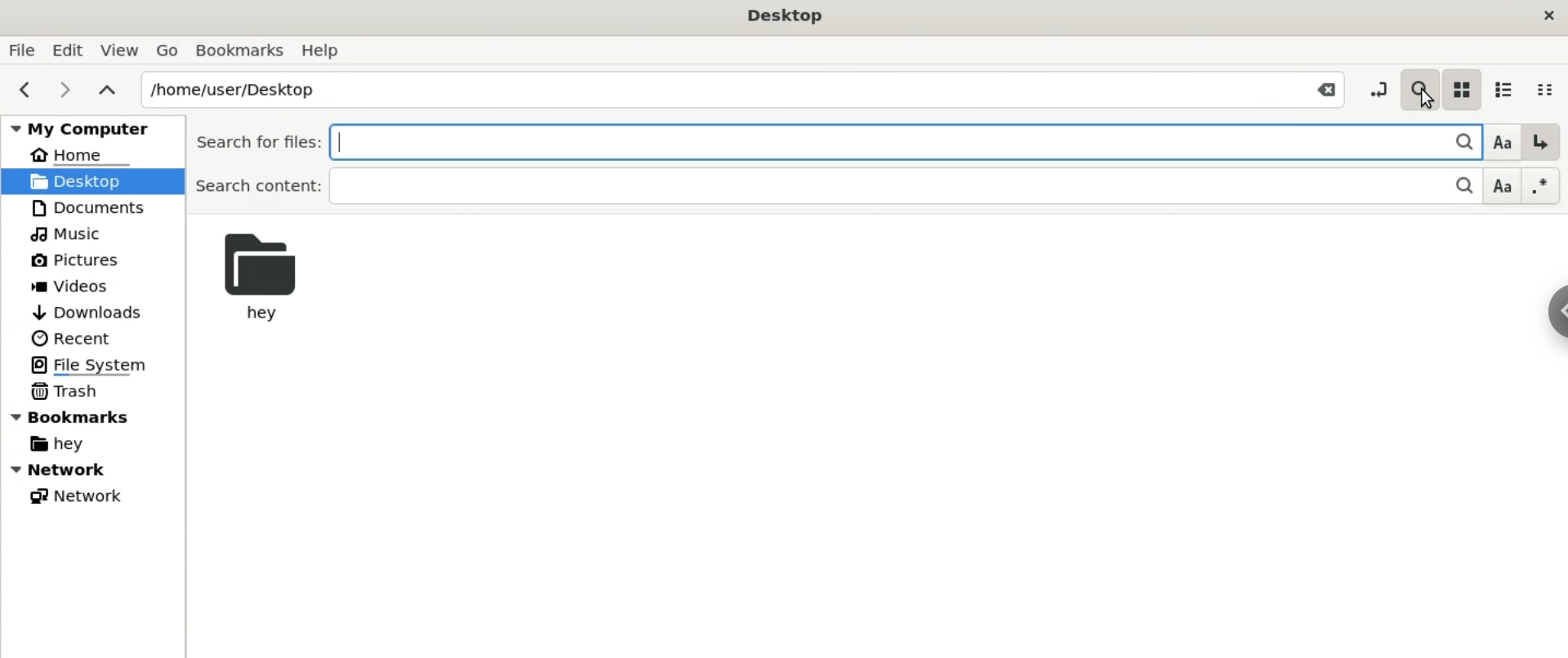 Image resolution: width=1568 pixels, height=658 pixels. What do you see at coordinates (106, 88) in the screenshot?
I see `parent folders` at bounding box center [106, 88].